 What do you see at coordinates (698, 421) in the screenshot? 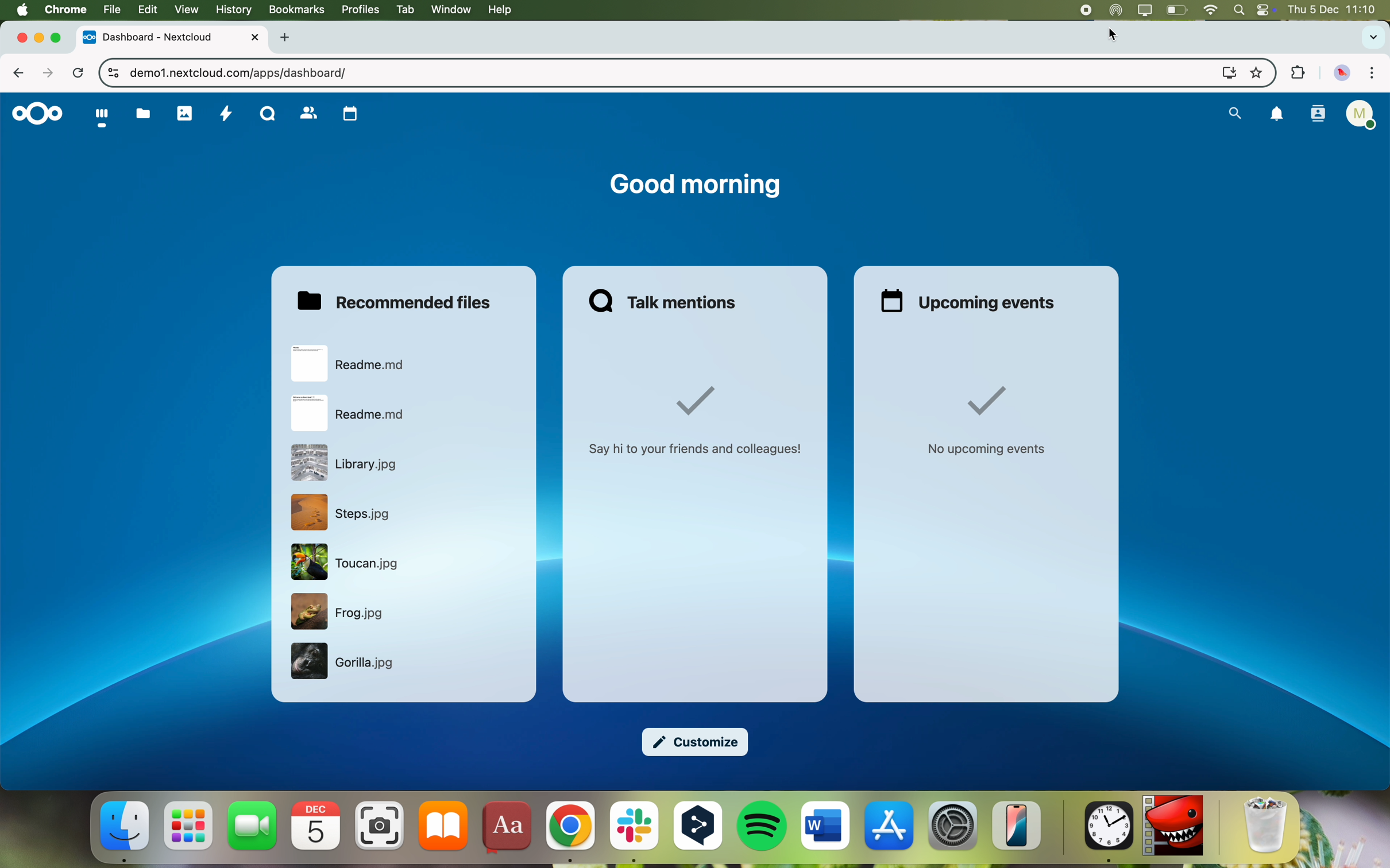
I see `say hi` at bounding box center [698, 421].